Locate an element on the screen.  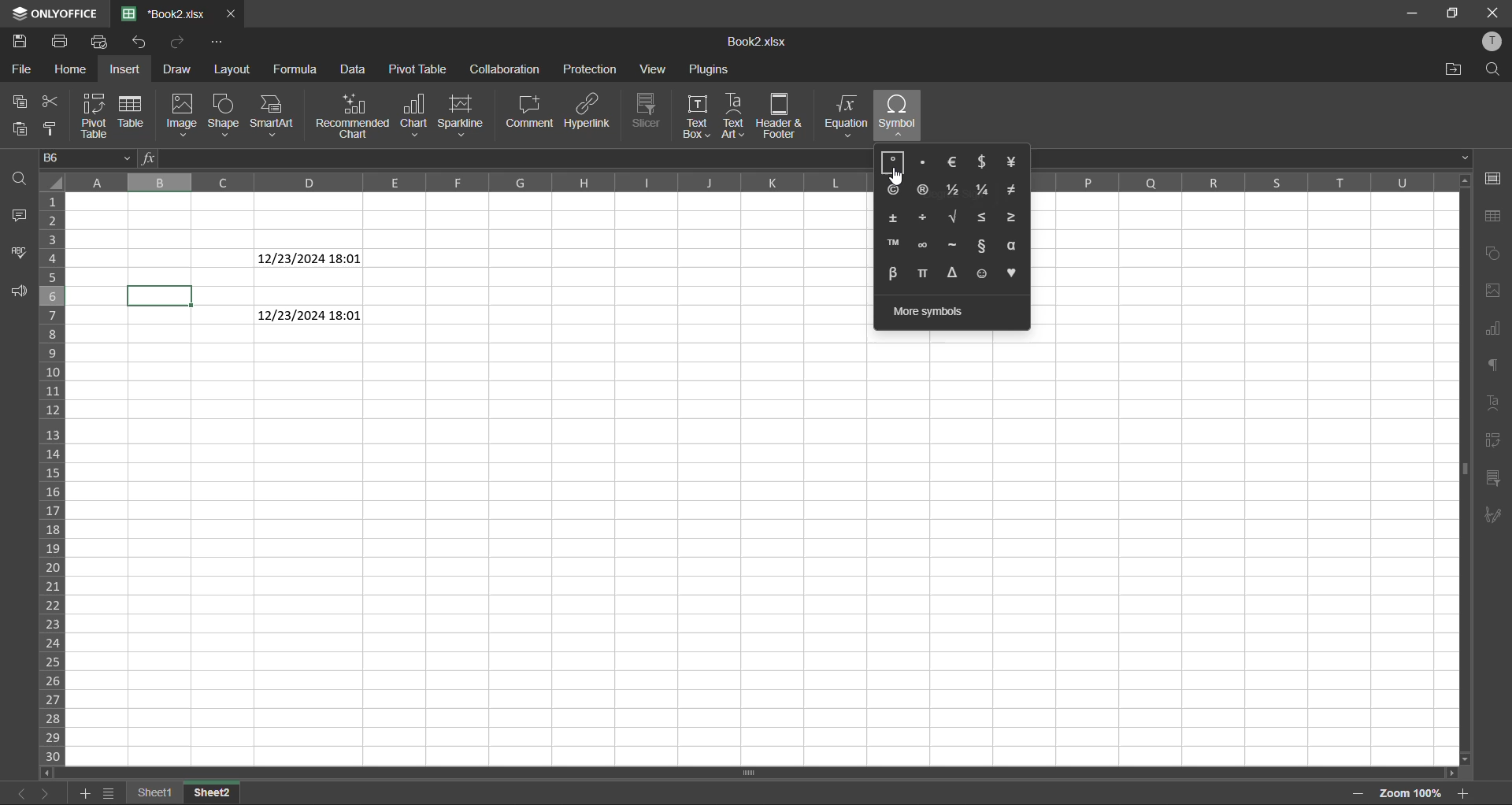
formula is located at coordinates (300, 69).